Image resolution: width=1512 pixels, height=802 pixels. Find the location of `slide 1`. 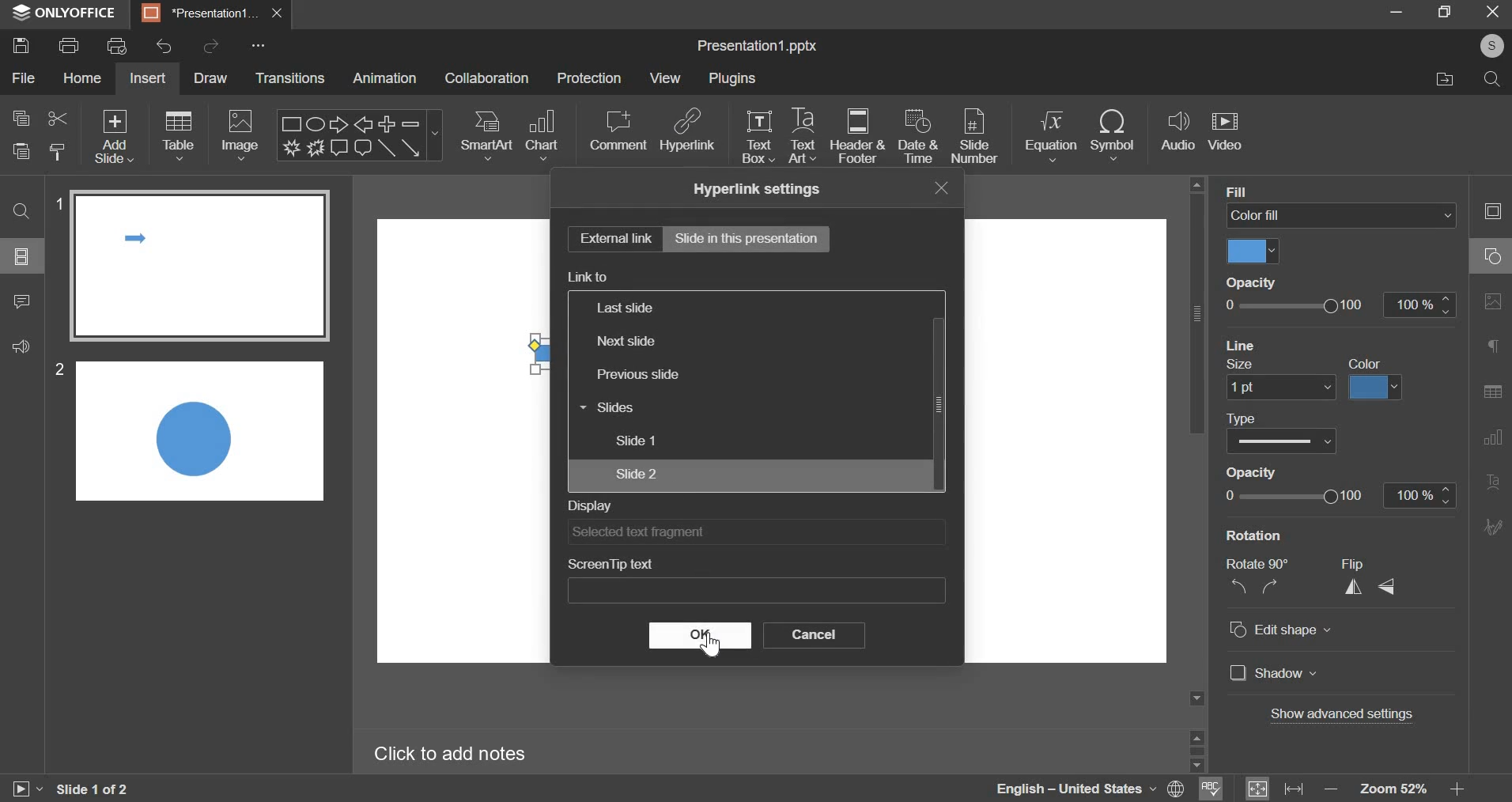

slide 1 is located at coordinates (637, 439).